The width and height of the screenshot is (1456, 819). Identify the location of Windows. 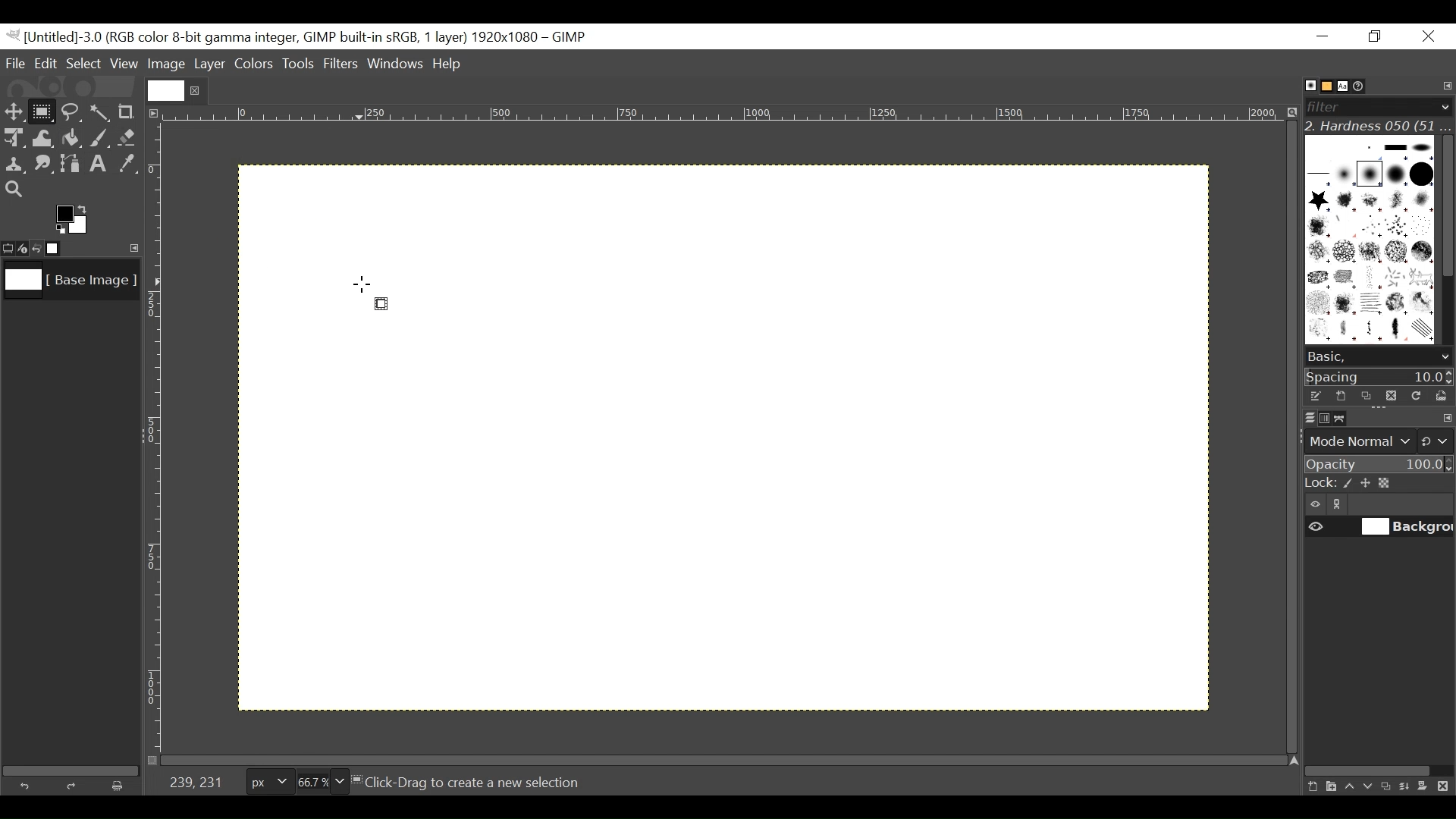
(397, 65).